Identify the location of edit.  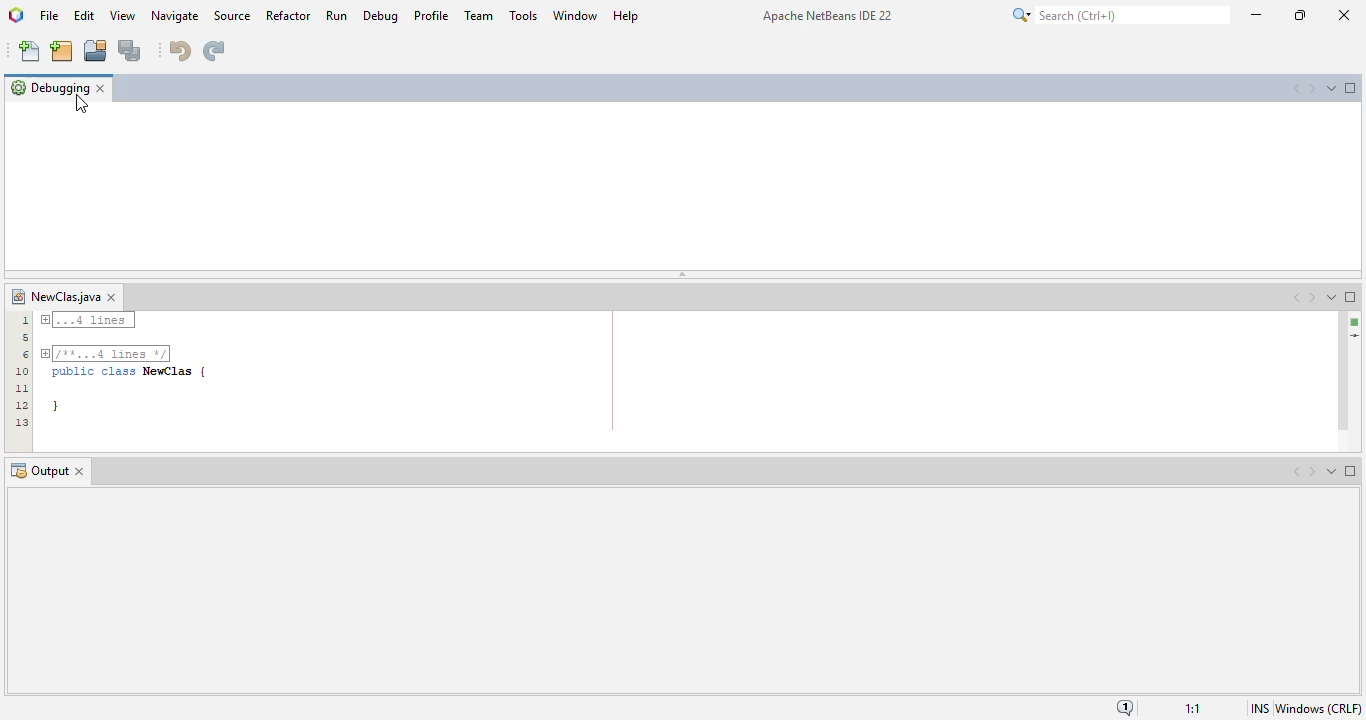
(83, 15).